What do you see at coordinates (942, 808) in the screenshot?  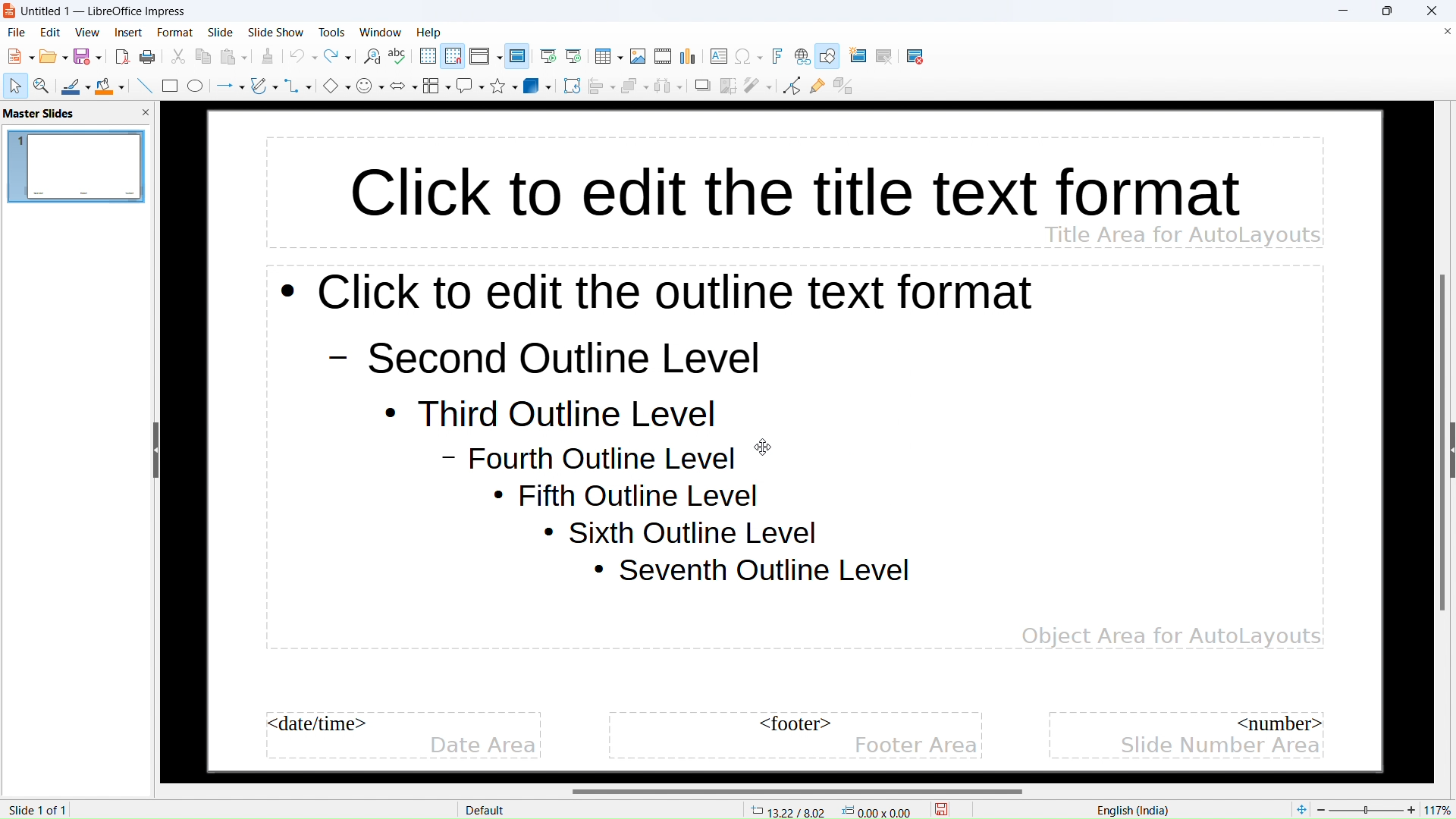 I see `save` at bounding box center [942, 808].